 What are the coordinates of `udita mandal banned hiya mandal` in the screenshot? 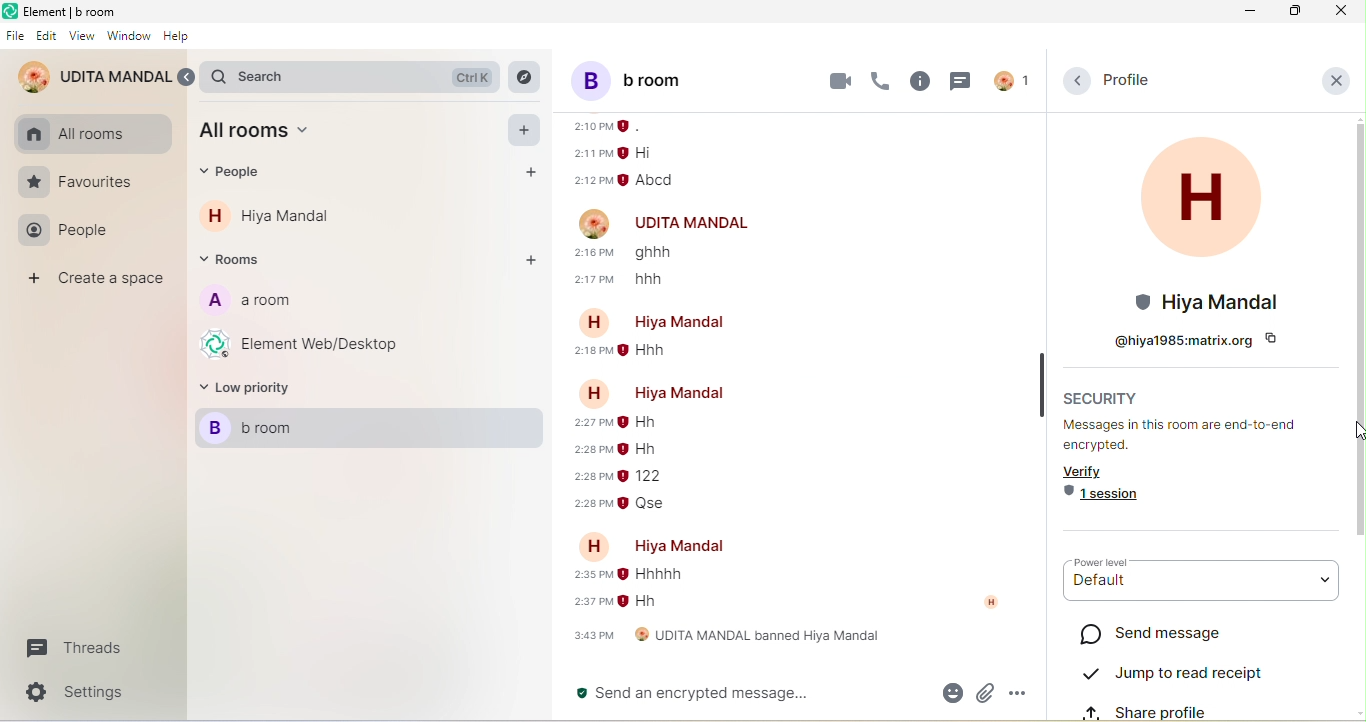 It's located at (725, 639).